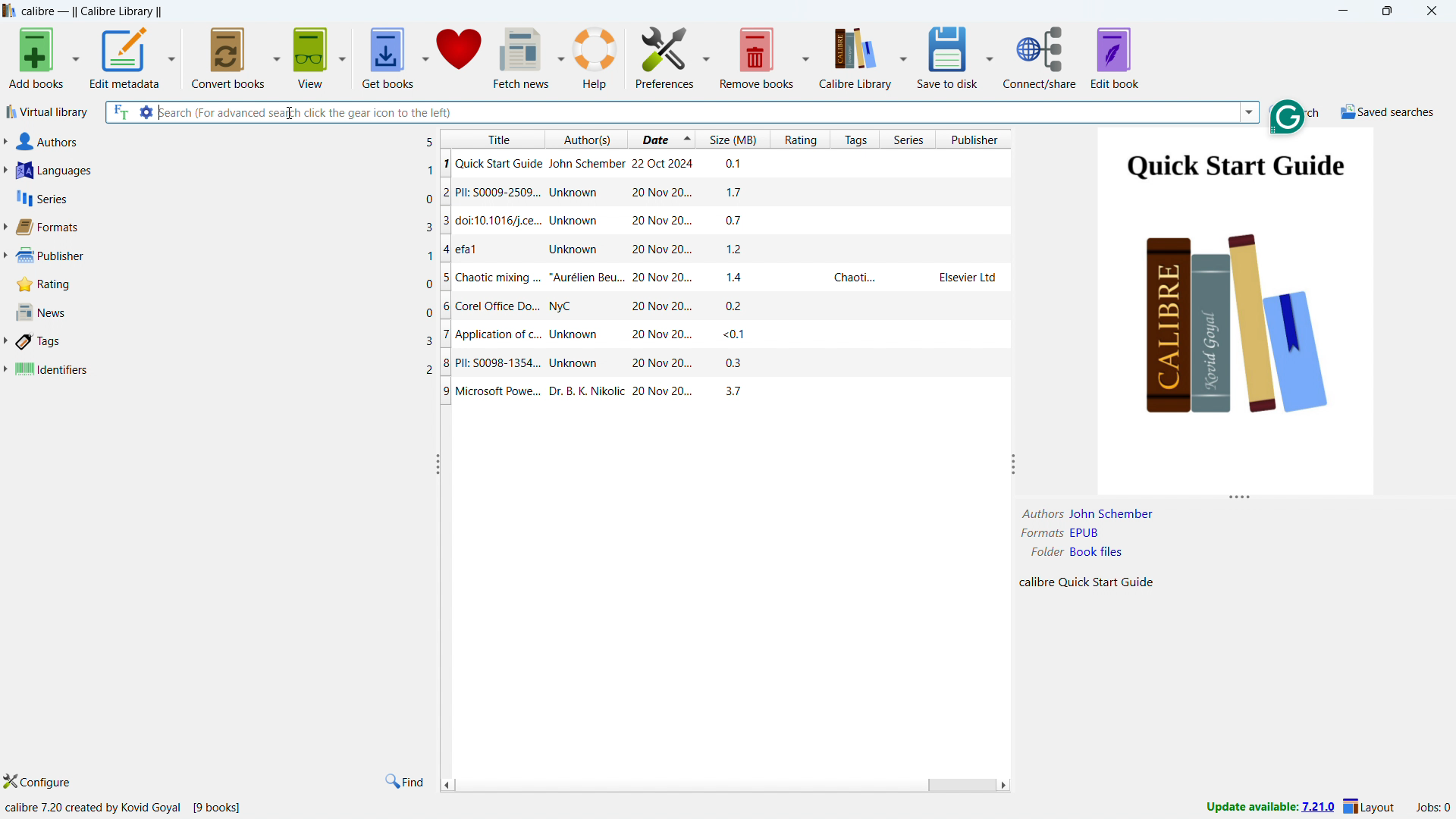 This screenshot has width=1456, height=819. What do you see at coordinates (124, 58) in the screenshot?
I see `edit metadata` at bounding box center [124, 58].